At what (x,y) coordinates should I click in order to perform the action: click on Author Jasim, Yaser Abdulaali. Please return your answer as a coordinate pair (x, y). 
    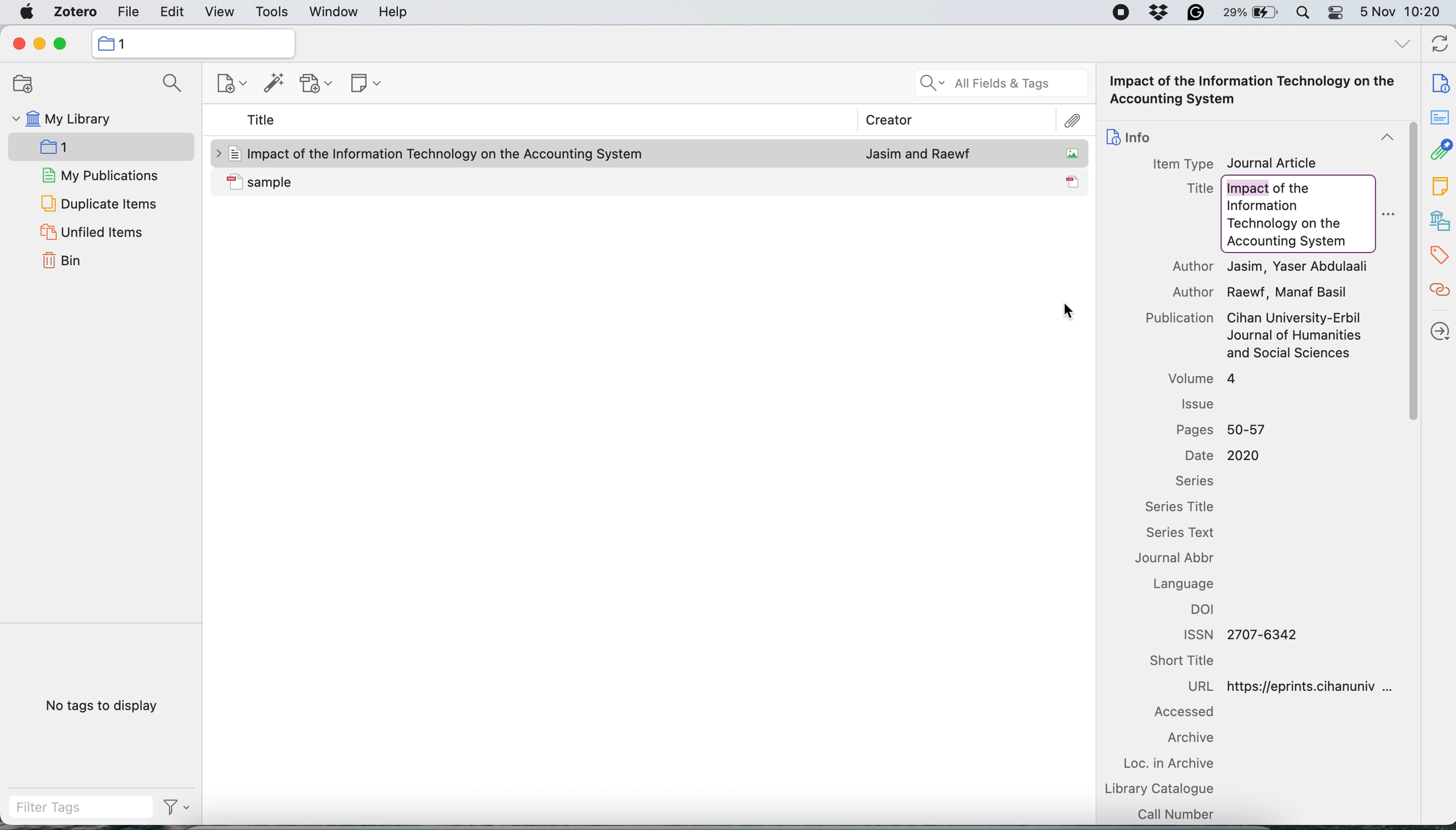
    Looking at the image, I should click on (1272, 267).